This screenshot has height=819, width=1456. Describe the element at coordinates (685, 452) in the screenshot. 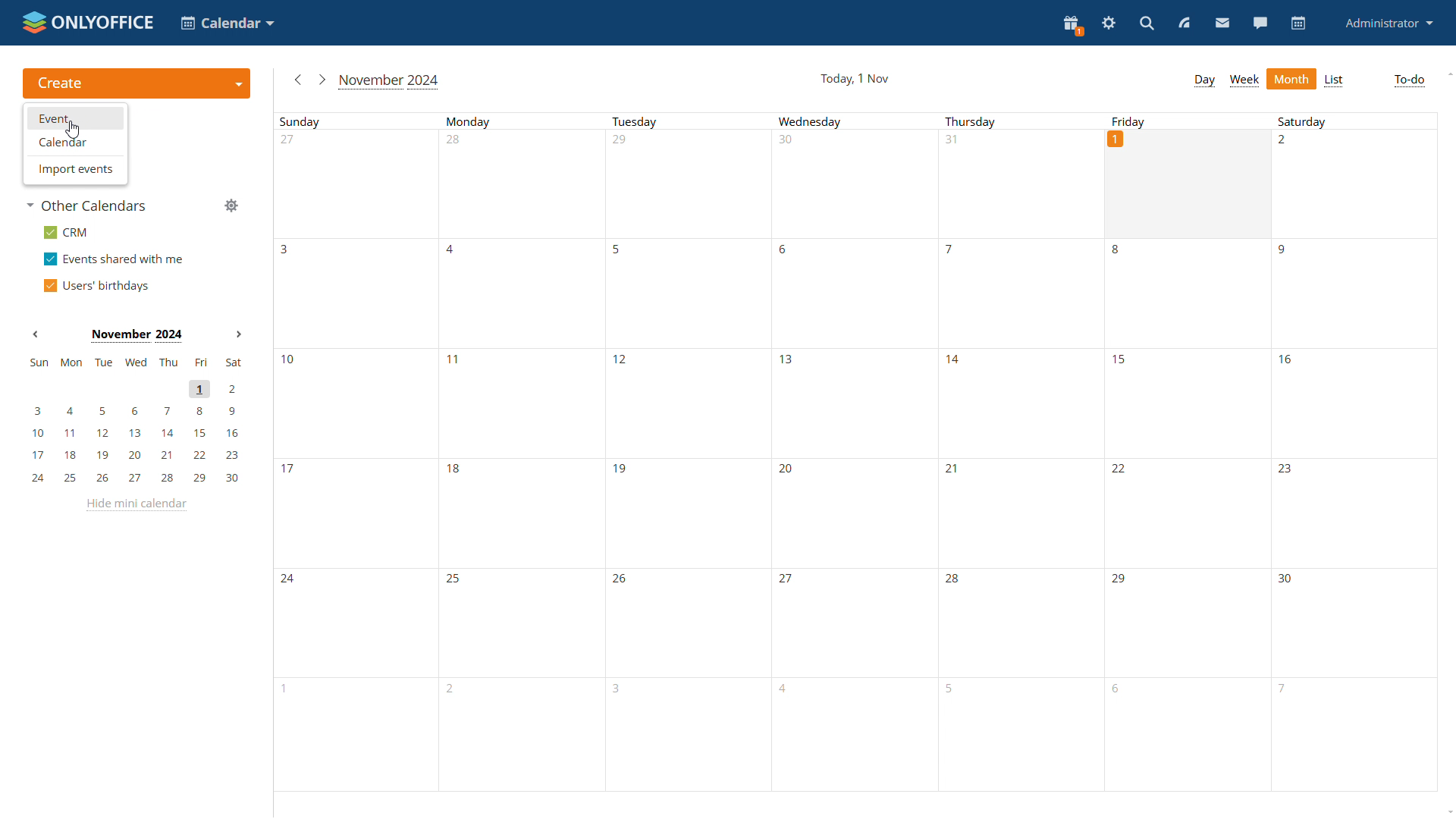

I see `Tuesday` at that location.